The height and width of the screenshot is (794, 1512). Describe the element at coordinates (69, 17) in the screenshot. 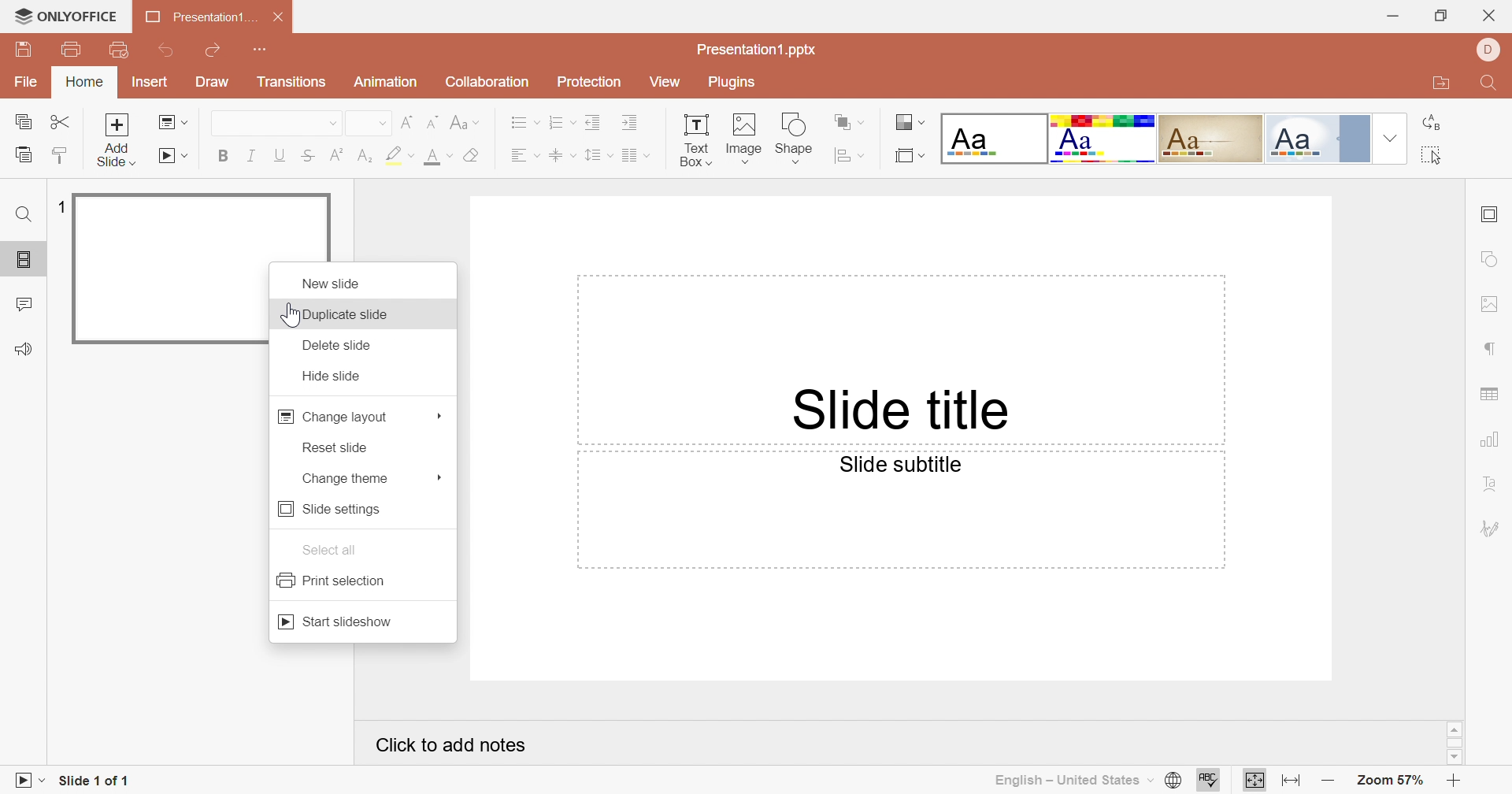

I see `ONLYOFFICE` at that location.